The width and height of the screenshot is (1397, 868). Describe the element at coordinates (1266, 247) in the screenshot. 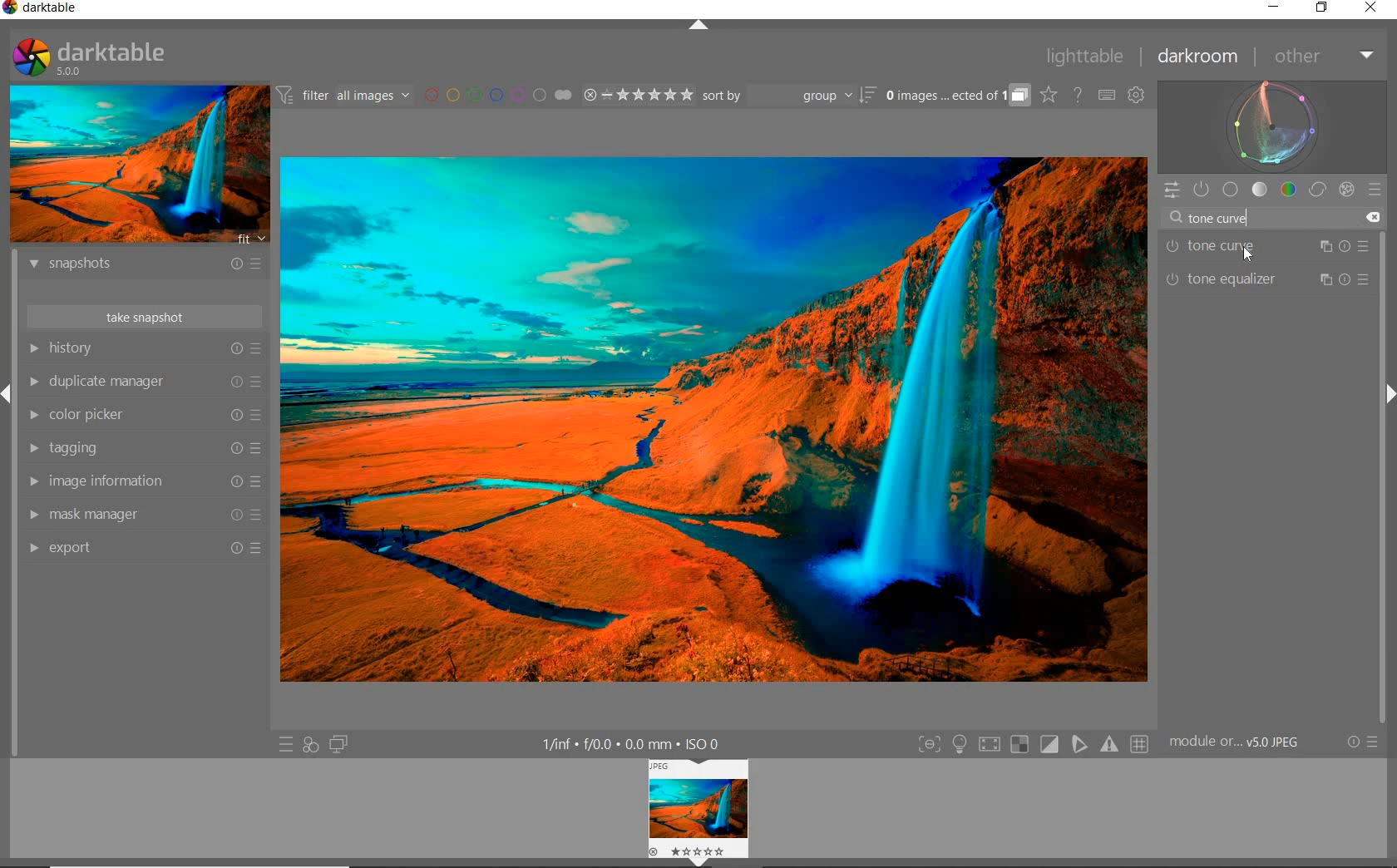

I see `TONE CURVE` at that location.